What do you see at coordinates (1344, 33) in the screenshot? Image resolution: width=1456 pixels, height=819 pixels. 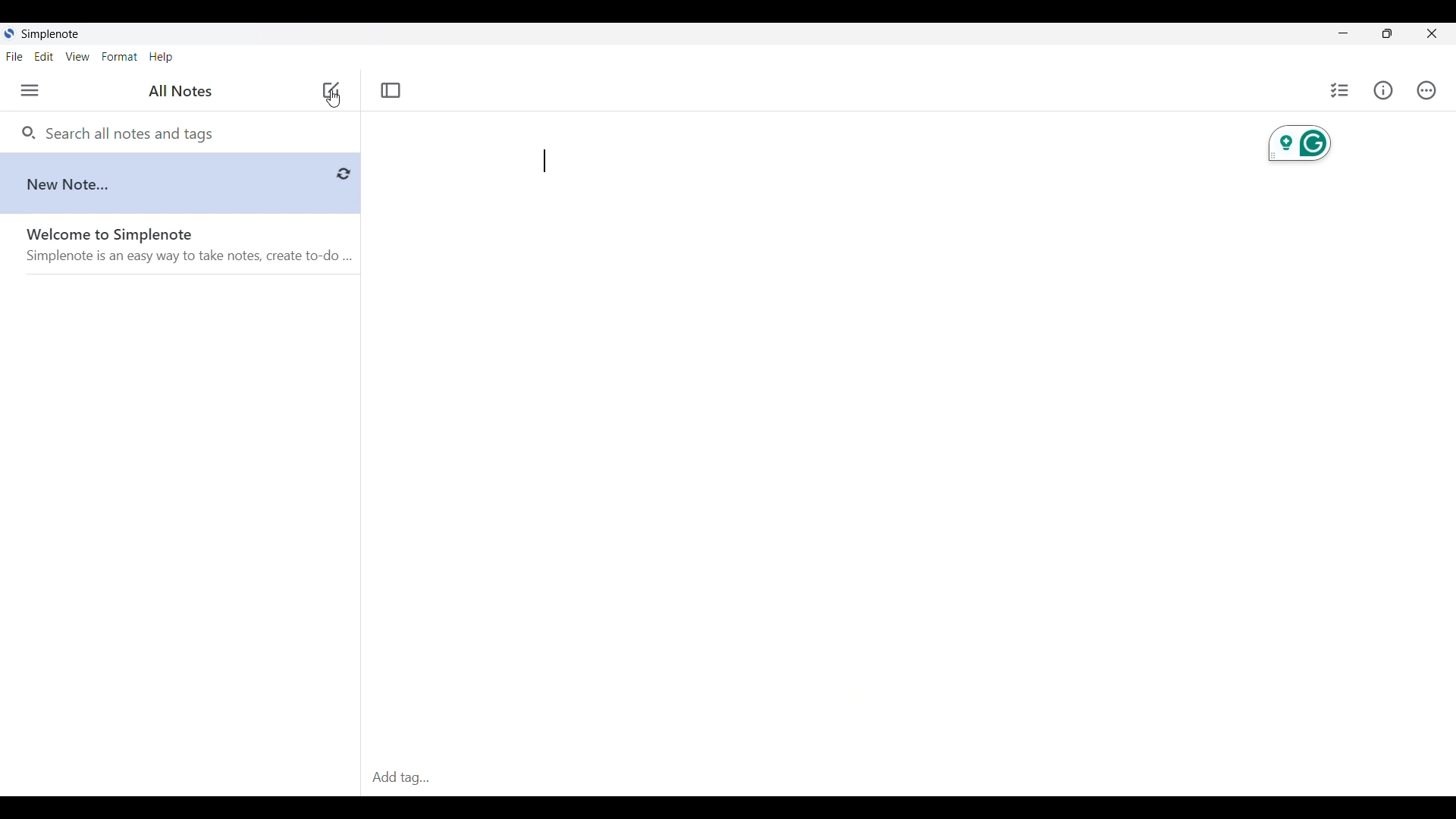 I see `Minimize` at bounding box center [1344, 33].